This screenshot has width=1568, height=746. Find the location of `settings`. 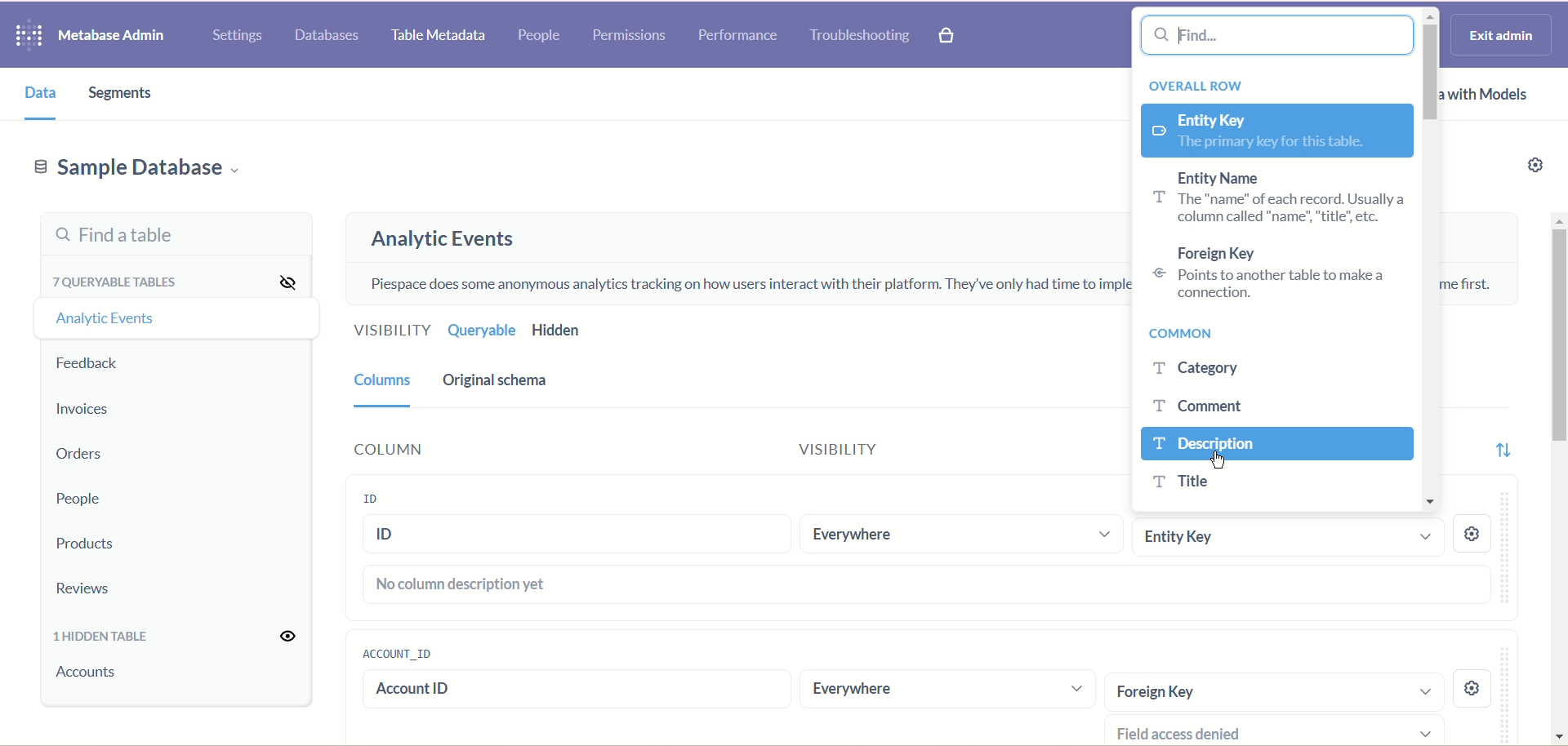

settings is located at coordinates (1522, 169).